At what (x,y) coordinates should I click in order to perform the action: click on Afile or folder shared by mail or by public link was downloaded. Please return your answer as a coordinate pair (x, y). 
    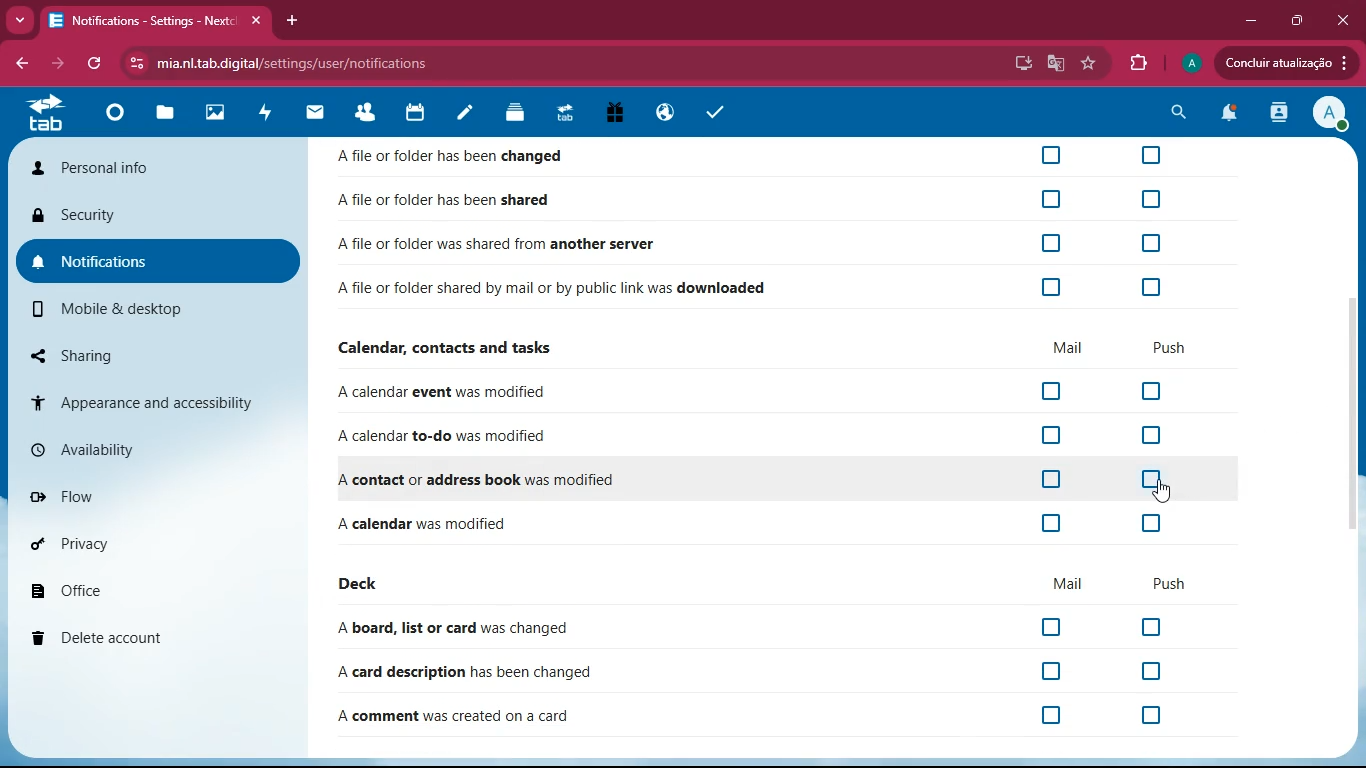
    Looking at the image, I should click on (551, 290).